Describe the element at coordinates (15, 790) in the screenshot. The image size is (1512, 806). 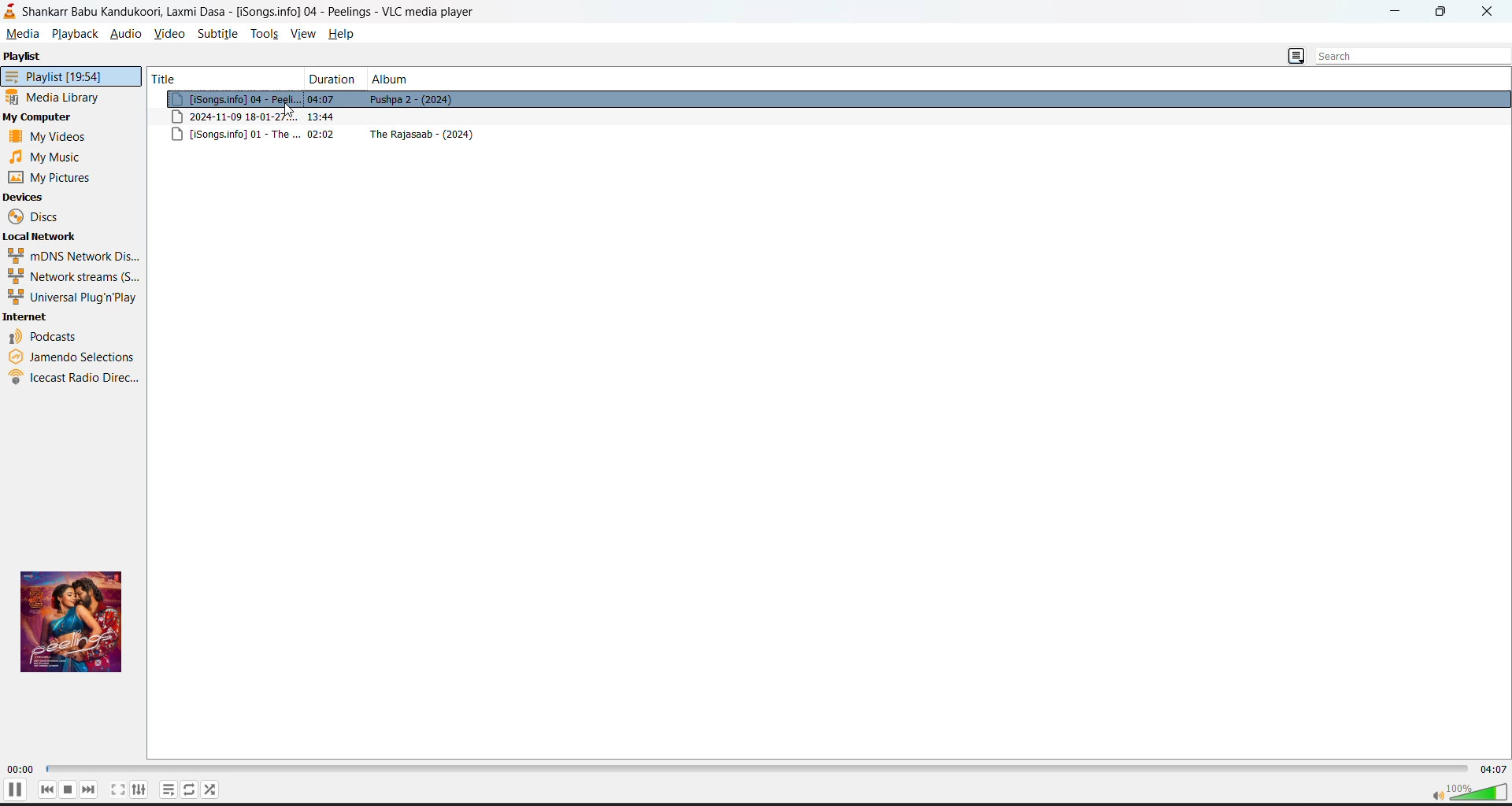
I see `play` at that location.